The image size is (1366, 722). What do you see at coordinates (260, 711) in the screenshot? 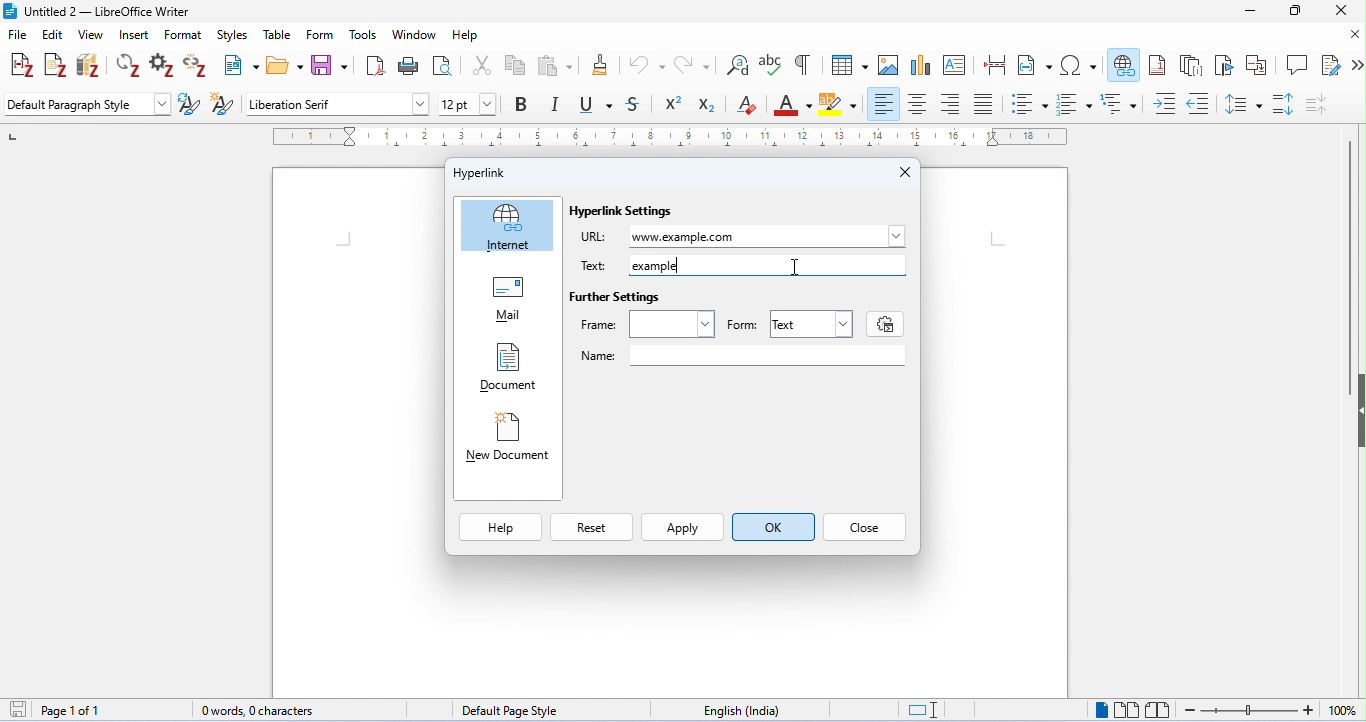
I see `0 words, 0 characters` at bounding box center [260, 711].